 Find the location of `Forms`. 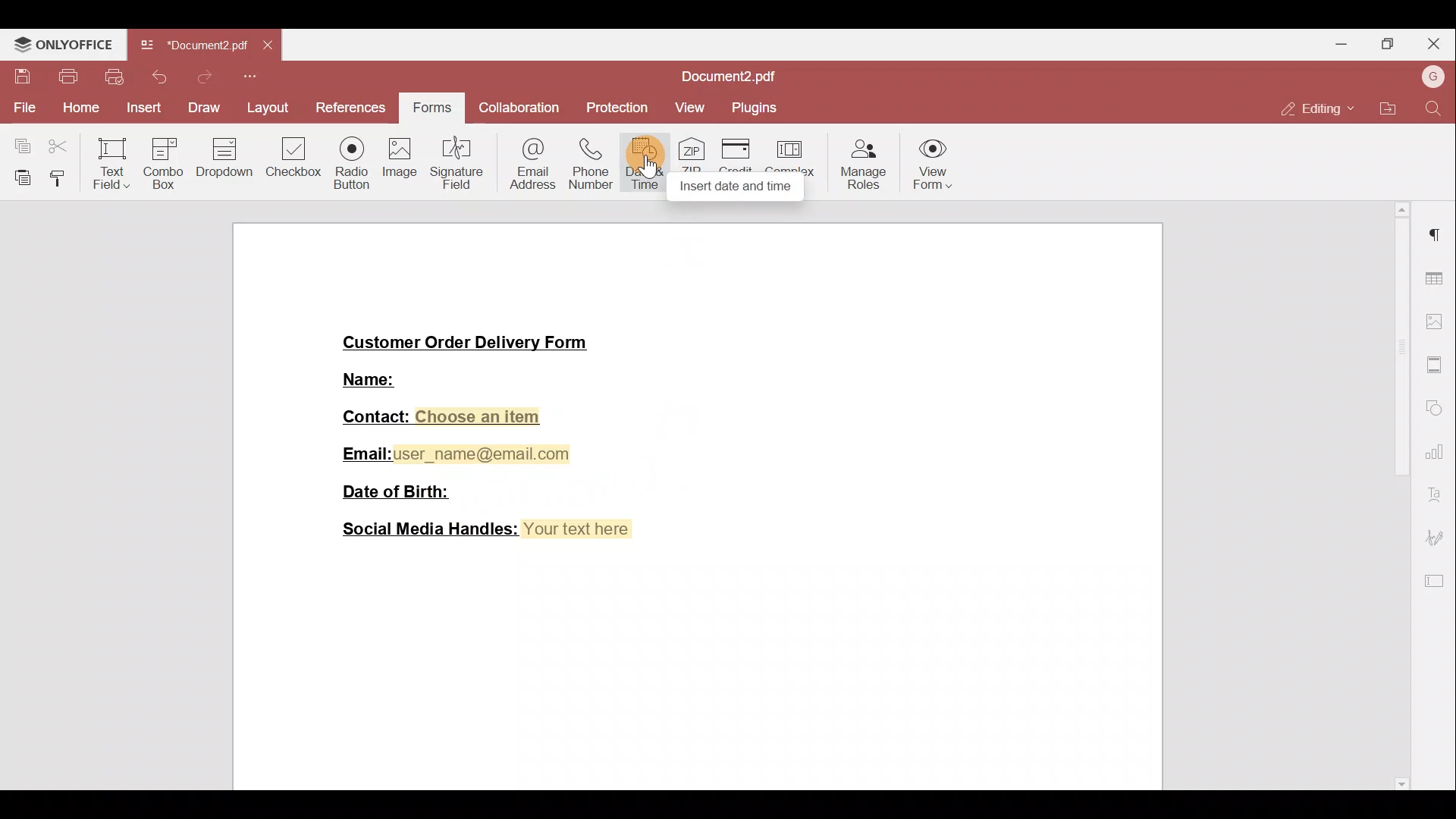

Forms is located at coordinates (430, 109).